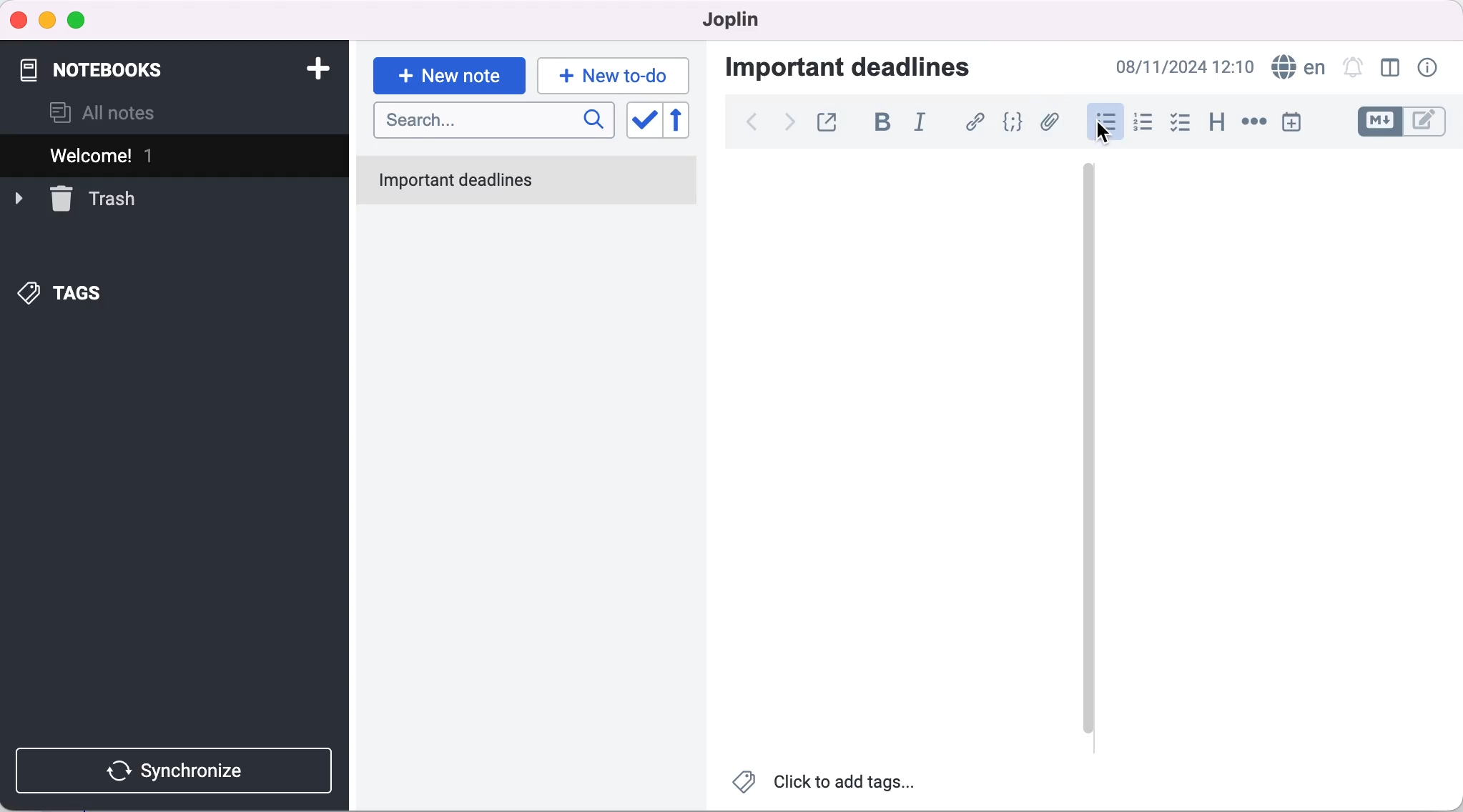 The height and width of the screenshot is (812, 1463). Describe the element at coordinates (1088, 457) in the screenshot. I see `vertical slider` at that location.